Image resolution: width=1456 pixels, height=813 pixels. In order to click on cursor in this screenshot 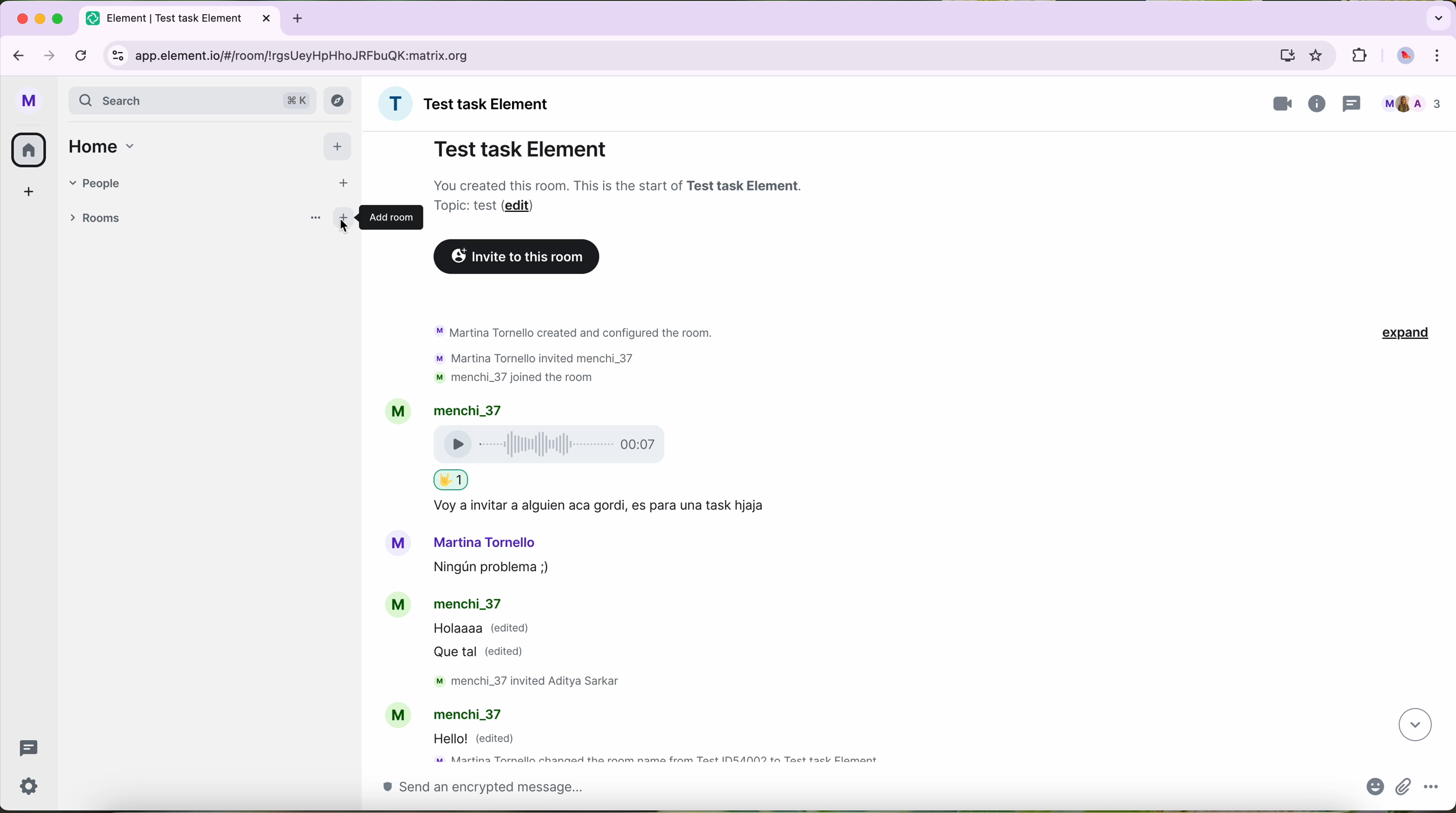, I will do `click(336, 233)`.